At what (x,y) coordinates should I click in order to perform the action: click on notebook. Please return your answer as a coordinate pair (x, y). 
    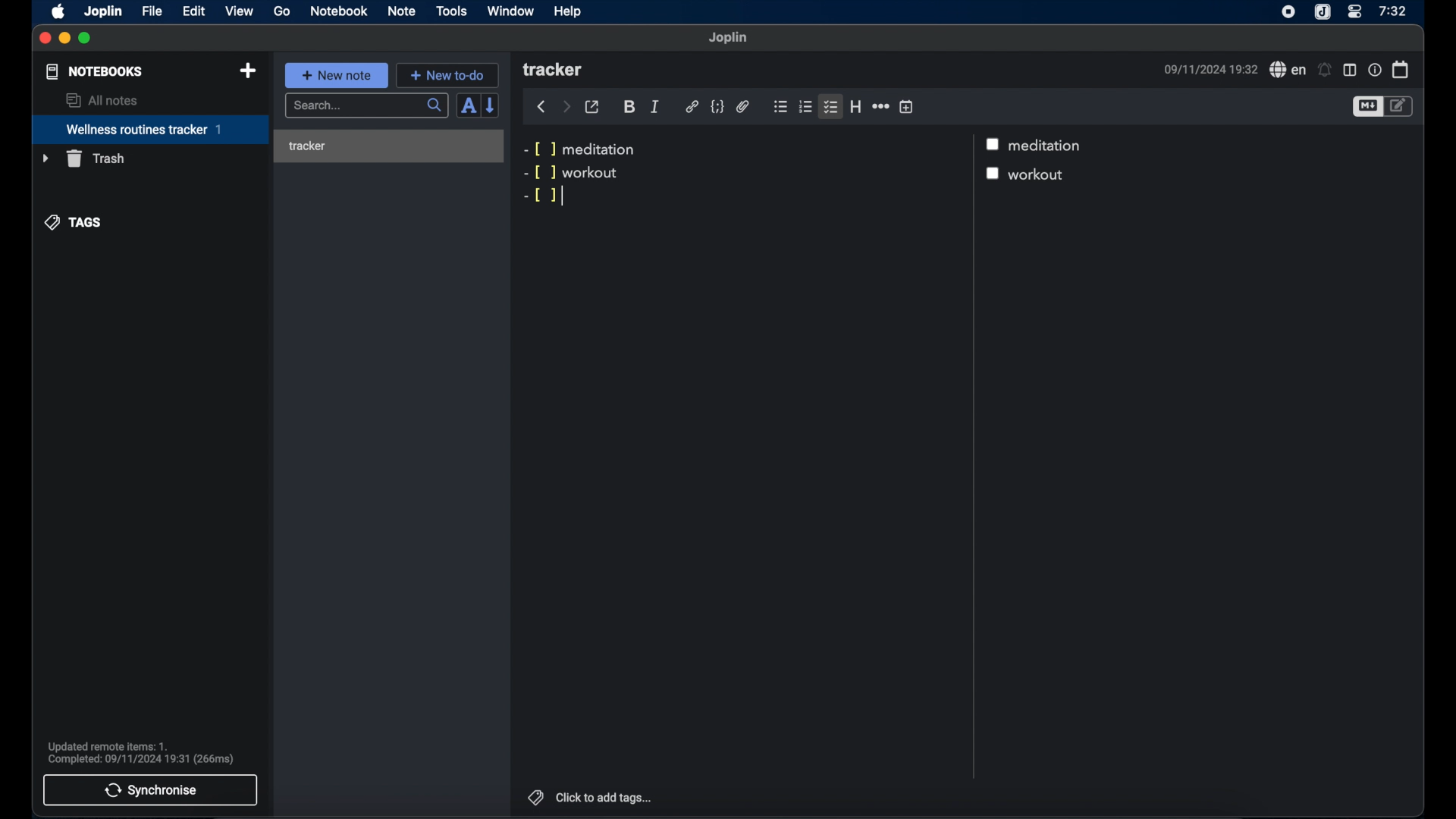
    Looking at the image, I should click on (339, 11).